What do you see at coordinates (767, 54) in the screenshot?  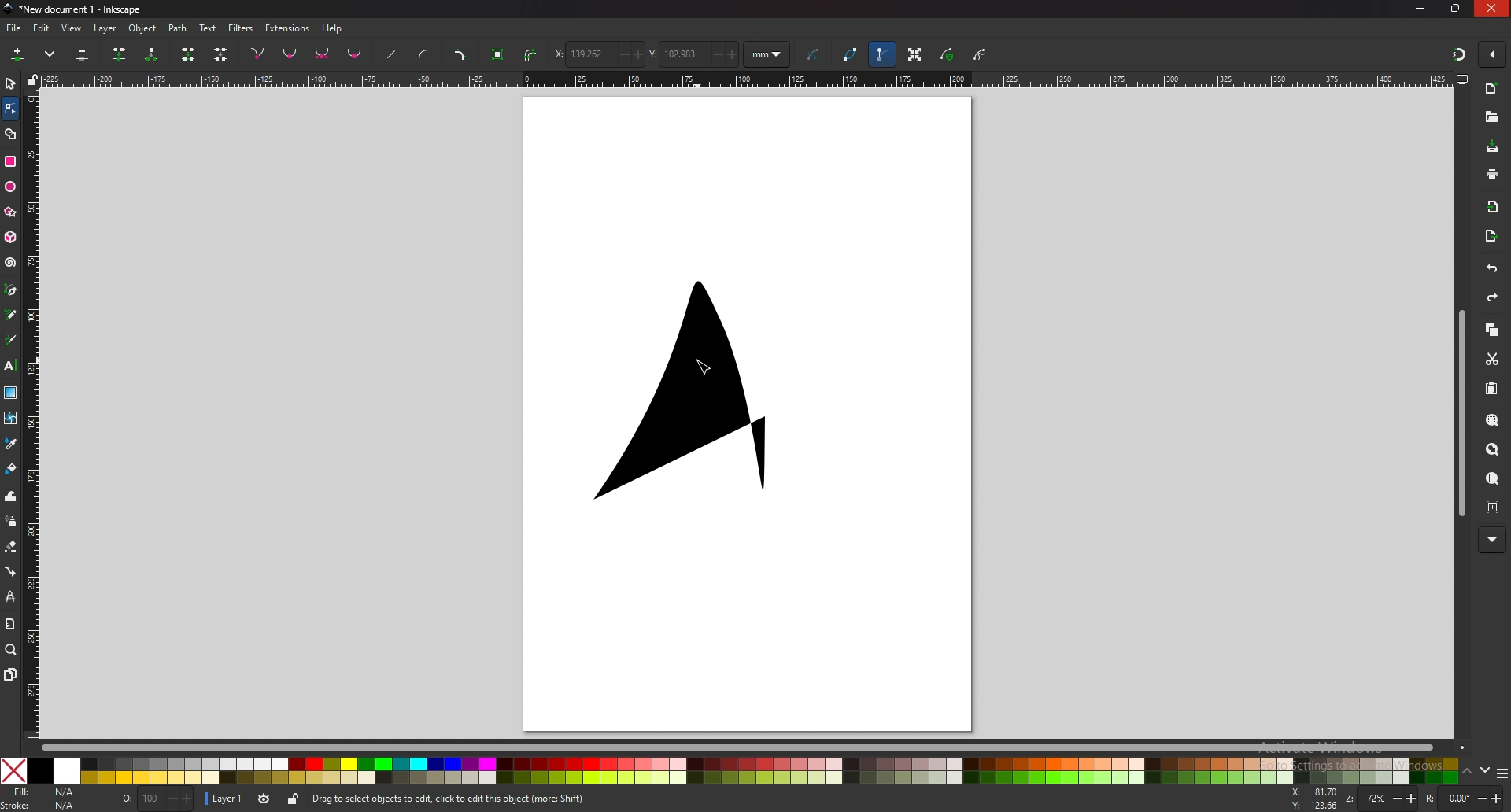 I see `units` at bounding box center [767, 54].